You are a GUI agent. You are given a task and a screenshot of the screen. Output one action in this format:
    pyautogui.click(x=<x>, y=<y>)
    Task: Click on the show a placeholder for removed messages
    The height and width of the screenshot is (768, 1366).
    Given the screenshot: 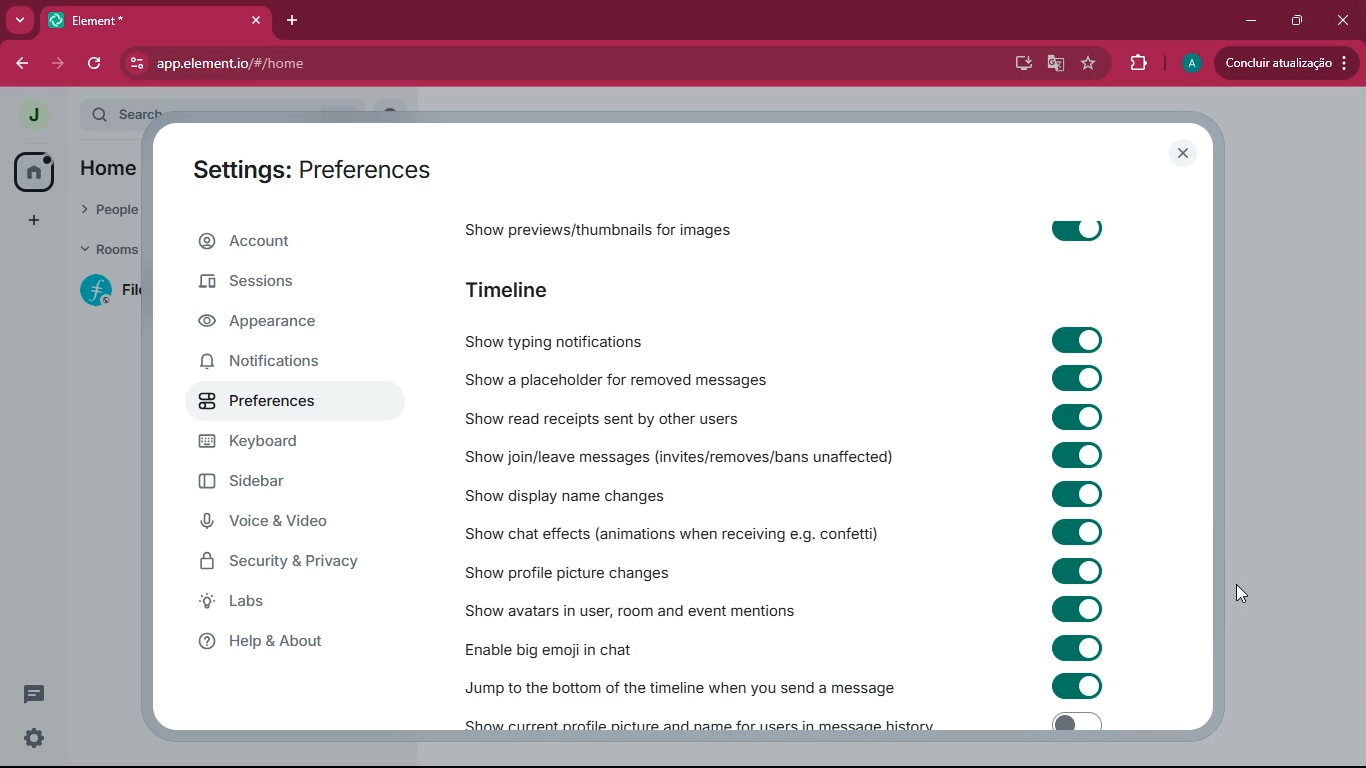 What is the action you would take?
    pyautogui.click(x=621, y=377)
    